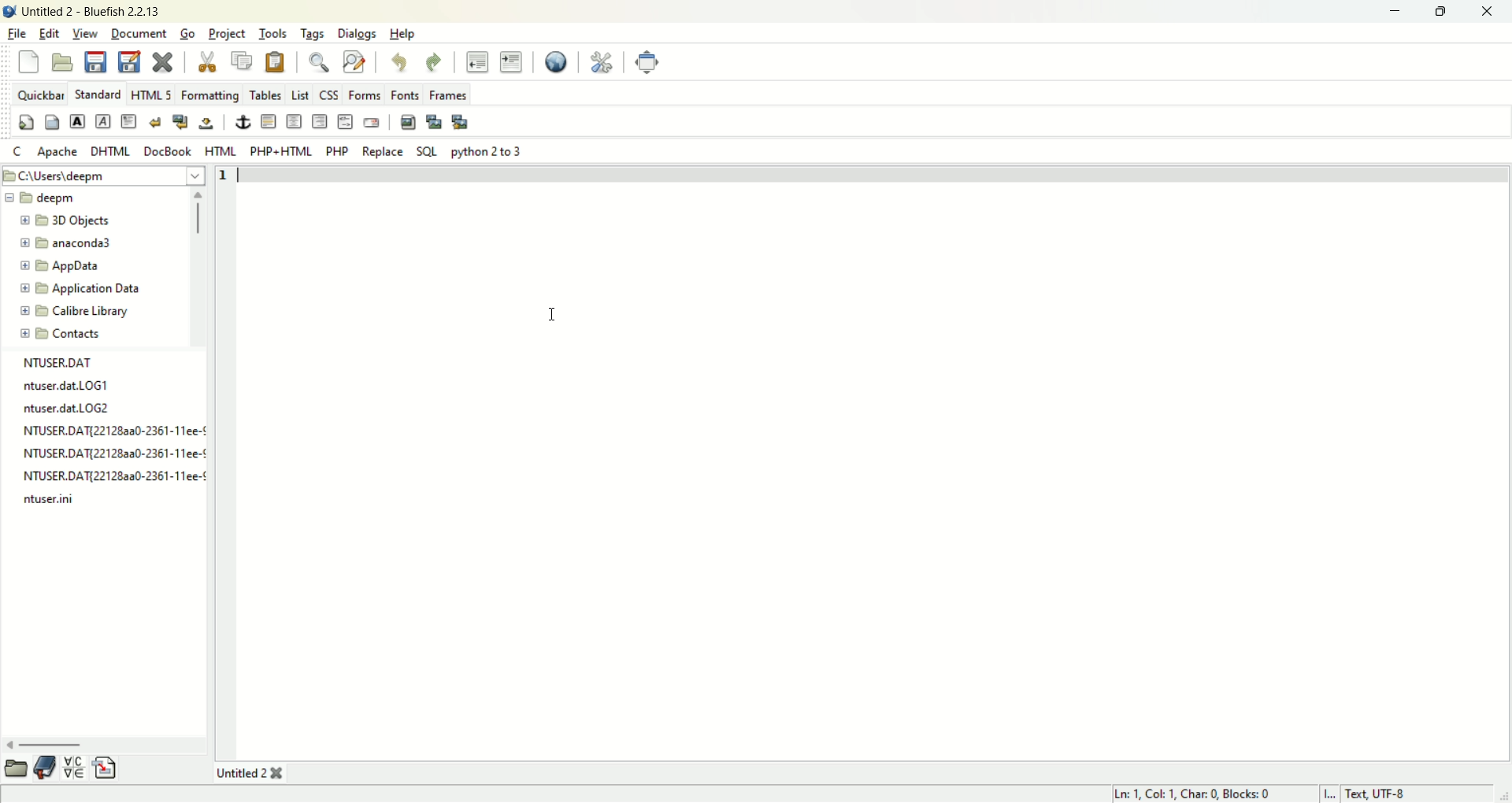  Describe the element at coordinates (461, 121) in the screenshot. I see `MULTI THUMBNAIL` at that location.